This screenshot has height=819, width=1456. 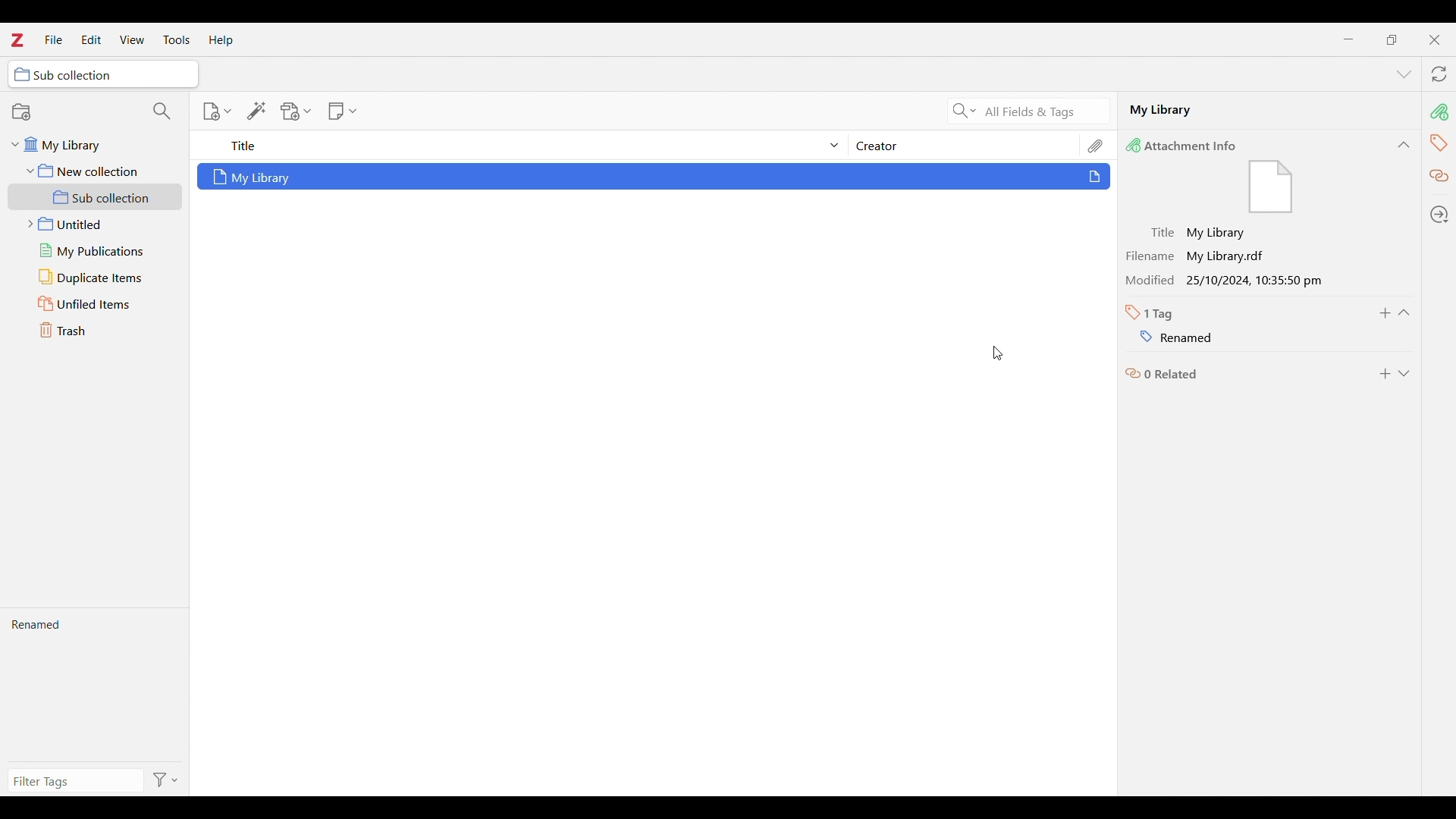 What do you see at coordinates (95, 303) in the screenshot?
I see `Unfiled items folder` at bounding box center [95, 303].